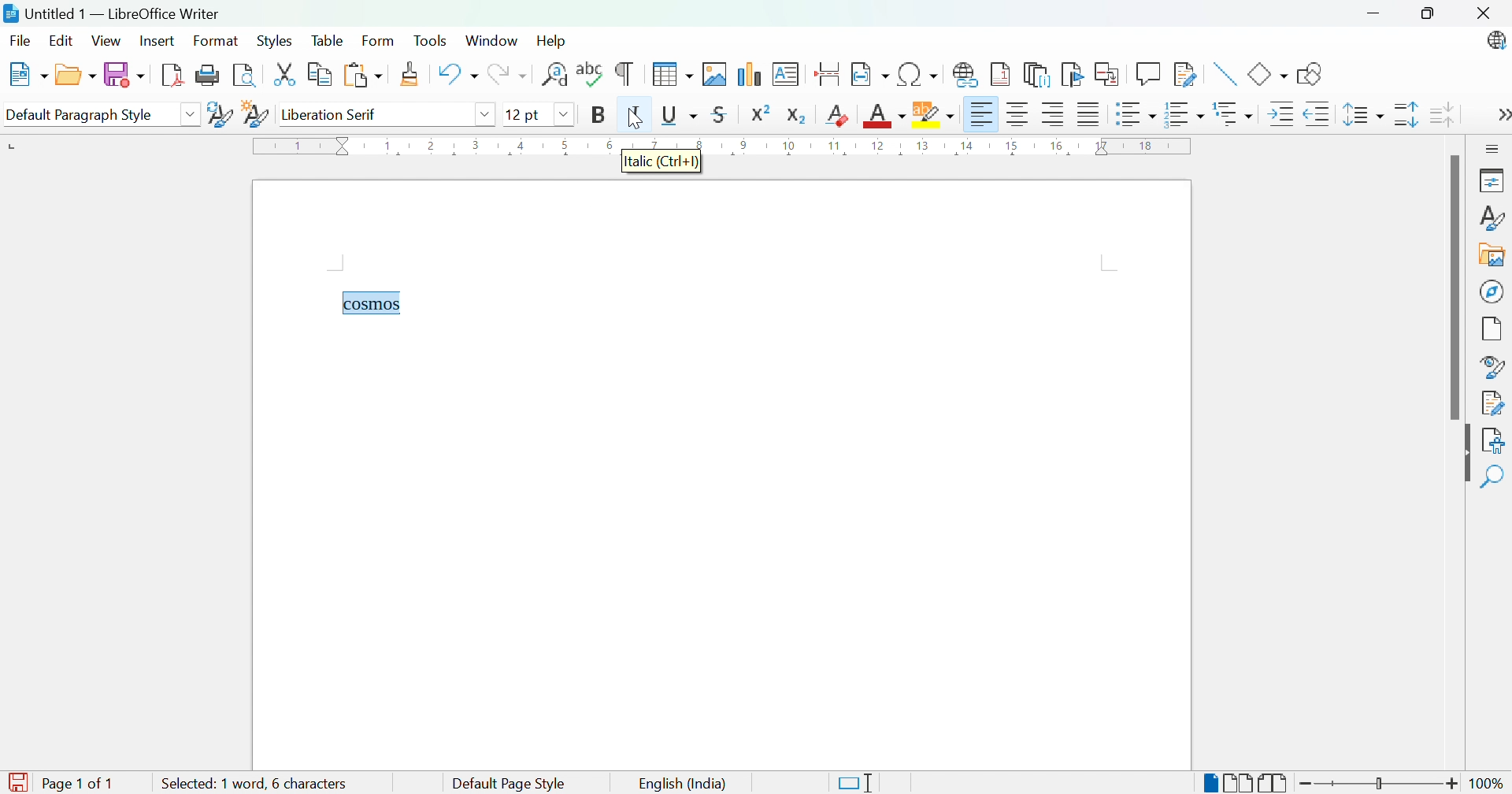 The width and height of the screenshot is (1512, 794). Describe the element at coordinates (1491, 43) in the screenshot. I see `LibreOffice update available` at that location.